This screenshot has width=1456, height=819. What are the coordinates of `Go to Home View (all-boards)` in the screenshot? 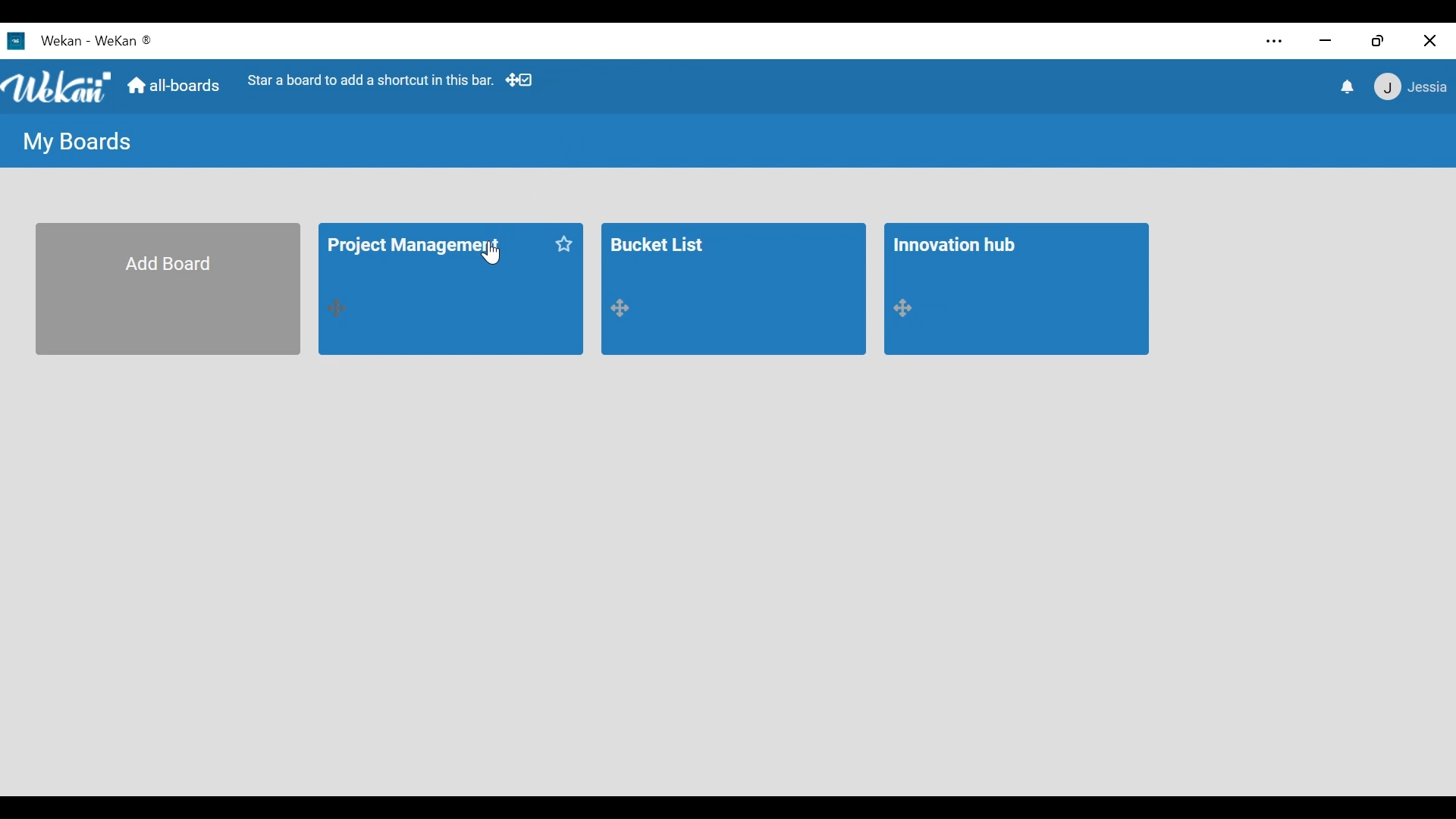 It's located at (175, 88).